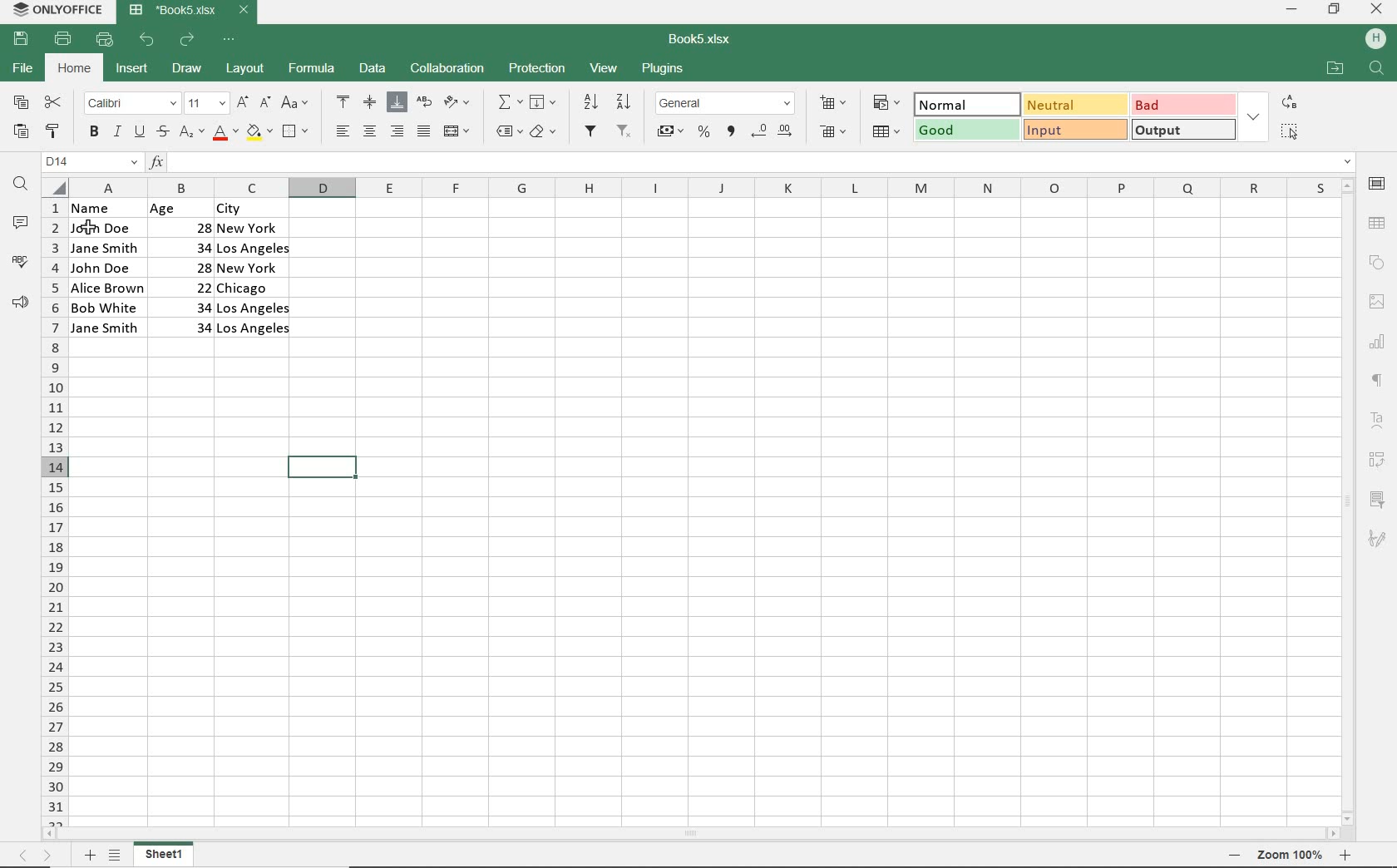 Image resolution: width=1397 pixels, height=868 pixels. Describe the element at coordinates (189, 39) in the screenshot. I see `REDO` at that location.